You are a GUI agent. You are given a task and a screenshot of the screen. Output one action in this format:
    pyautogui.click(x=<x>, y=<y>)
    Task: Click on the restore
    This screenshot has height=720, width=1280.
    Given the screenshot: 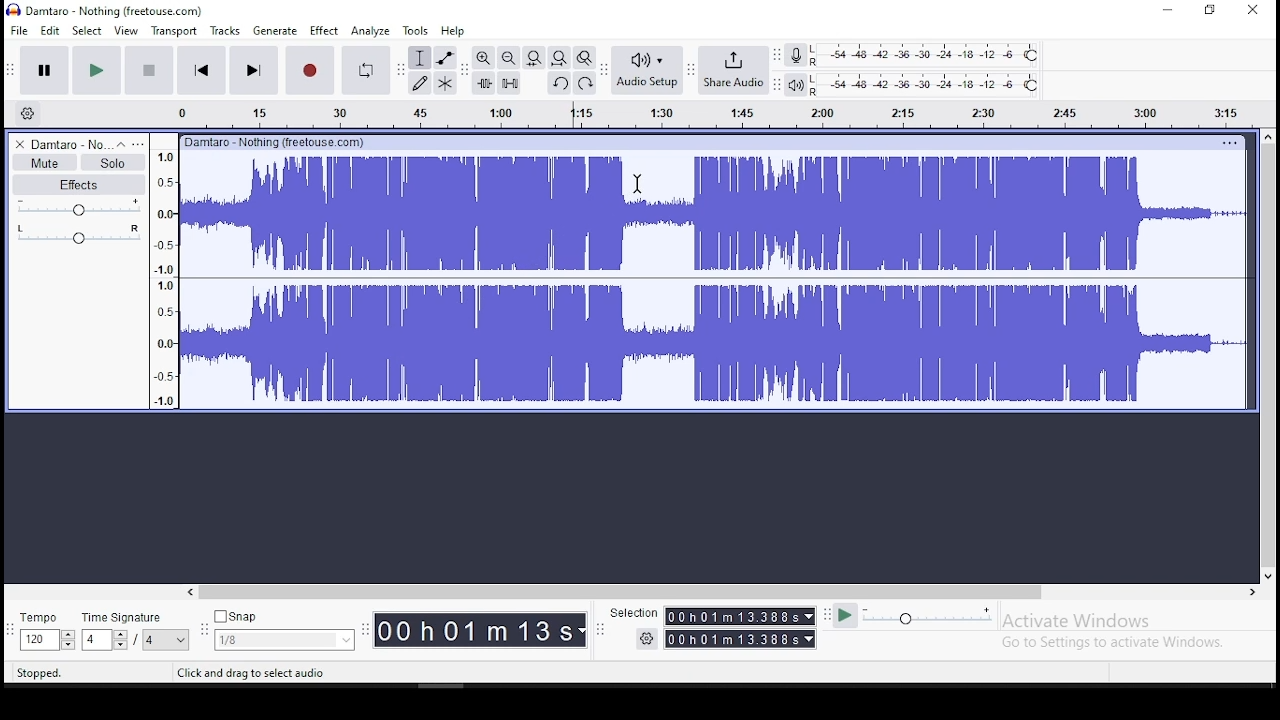 What is the action you would take?
    pyautogui.click(x=1210, y=11)
    